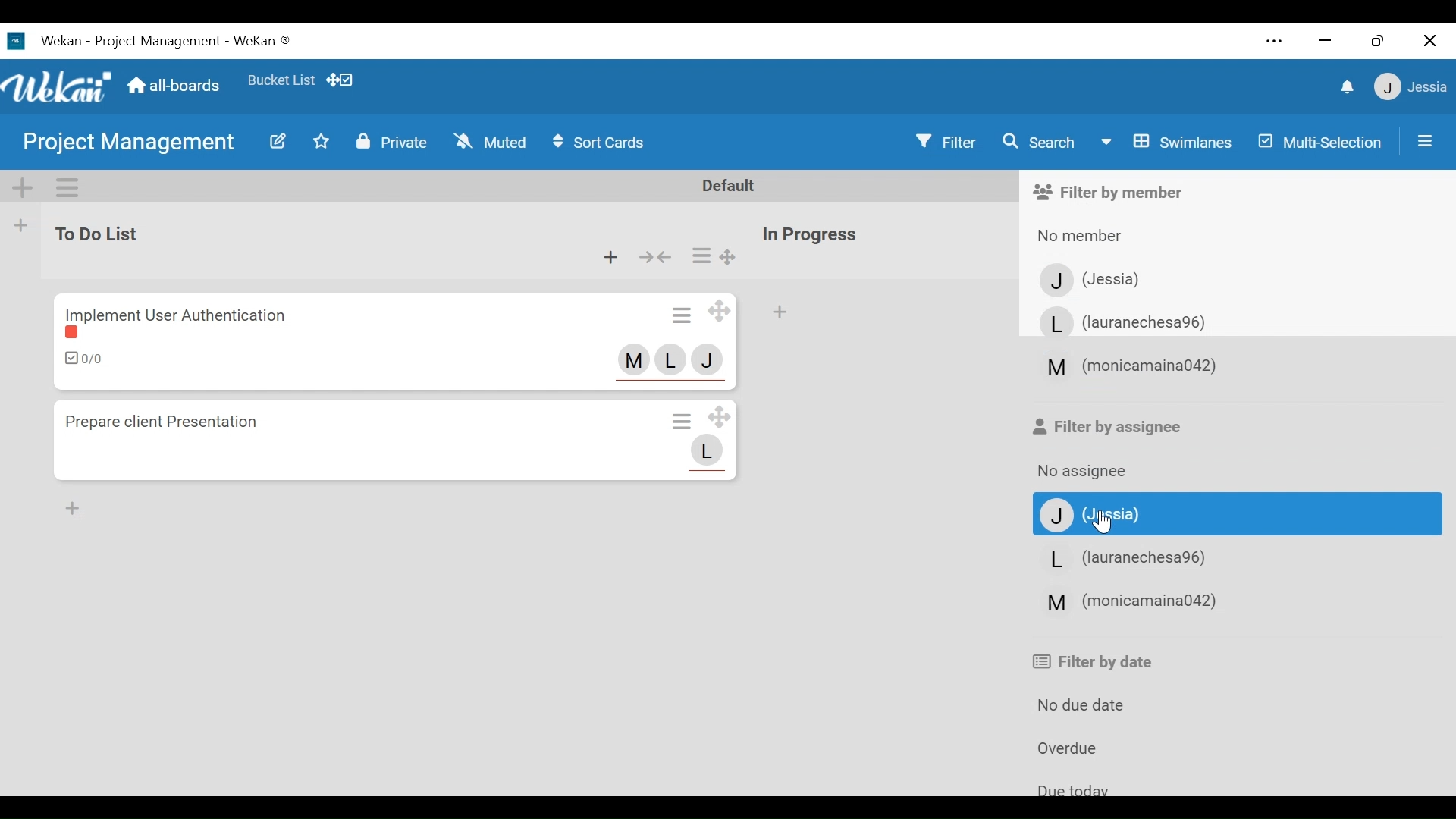 This screenshot has height=819, width=1456. Describe the element at coordinates (724, 185) in the screenshot. I see `Default` at that location.